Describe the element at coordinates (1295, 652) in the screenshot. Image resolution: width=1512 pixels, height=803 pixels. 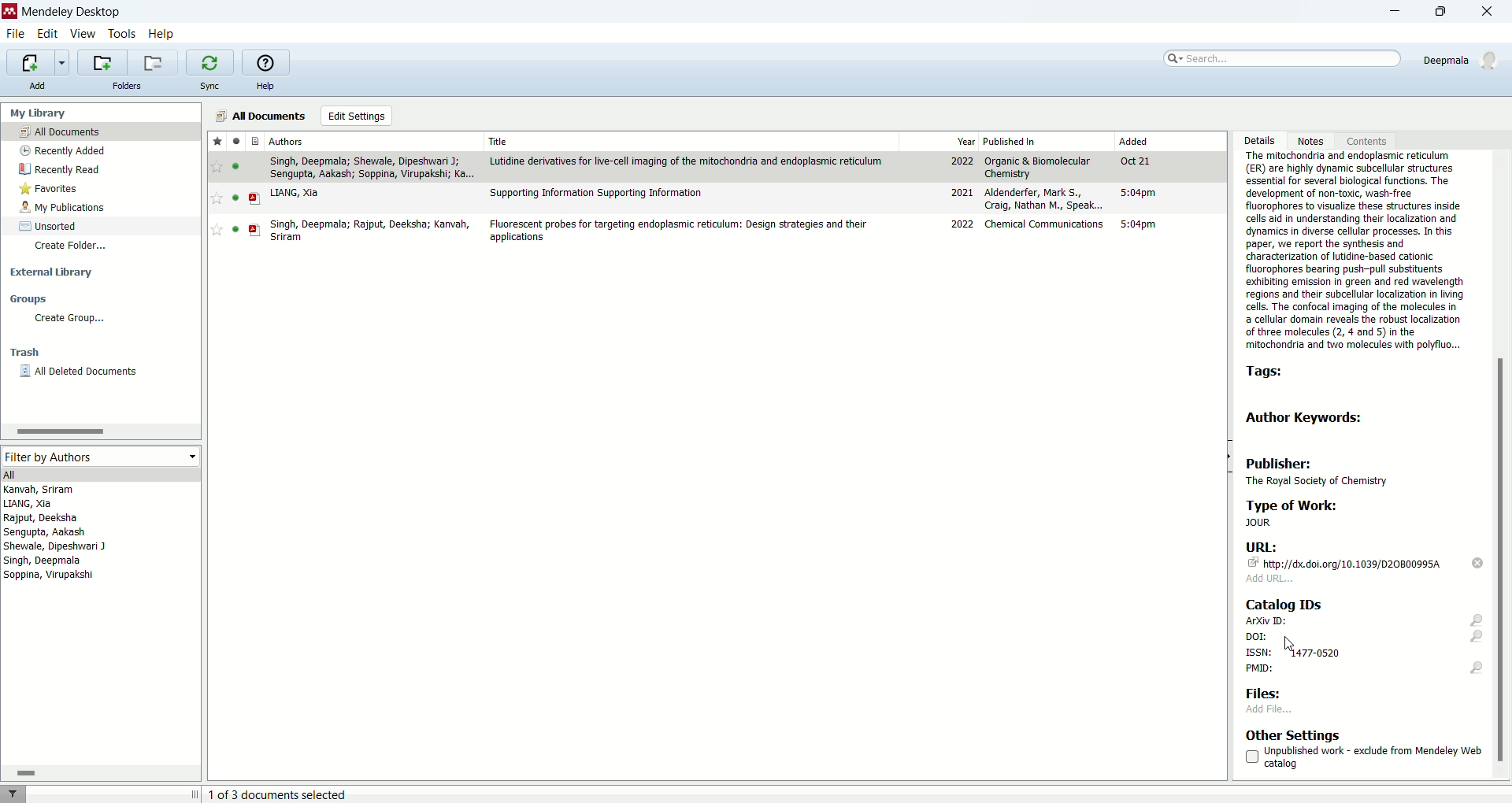
I see `ISSN: 1477-0520` at that location.